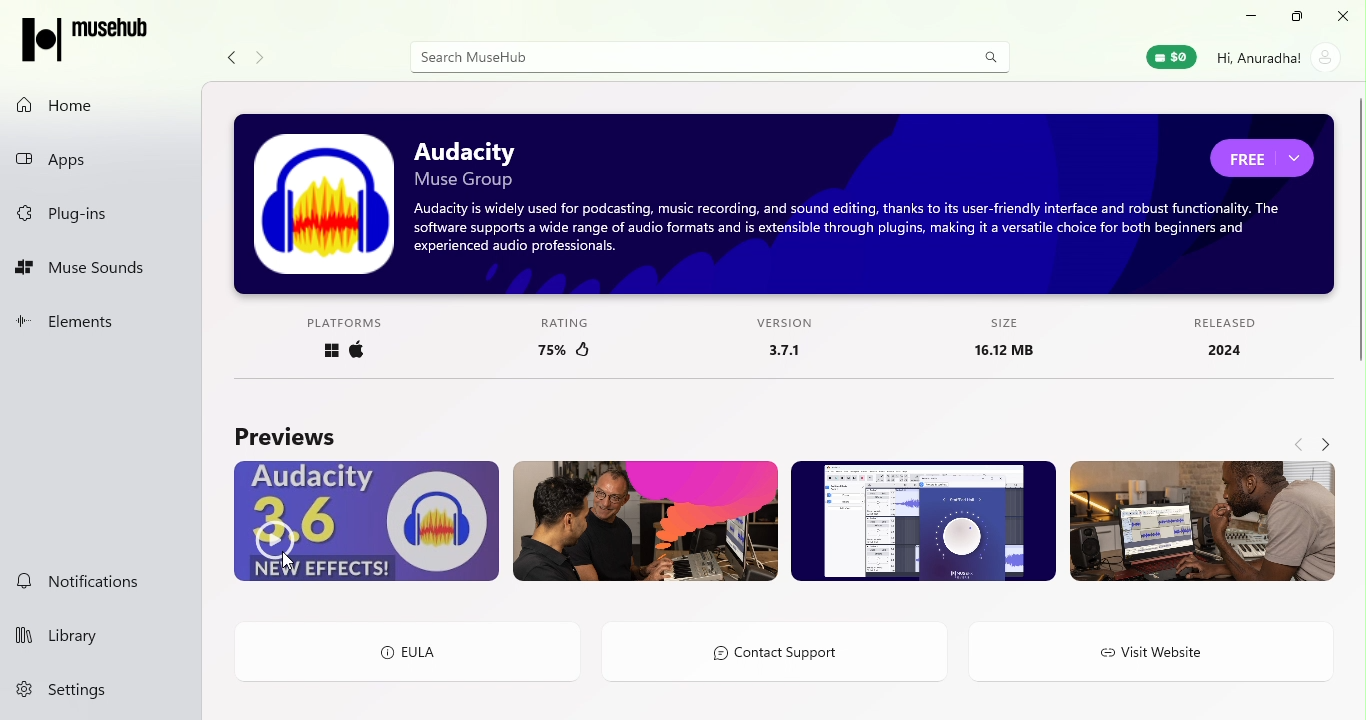  Describe the element at coordinates (782, 650) in the screenshot. I see `Contact support` at that location.